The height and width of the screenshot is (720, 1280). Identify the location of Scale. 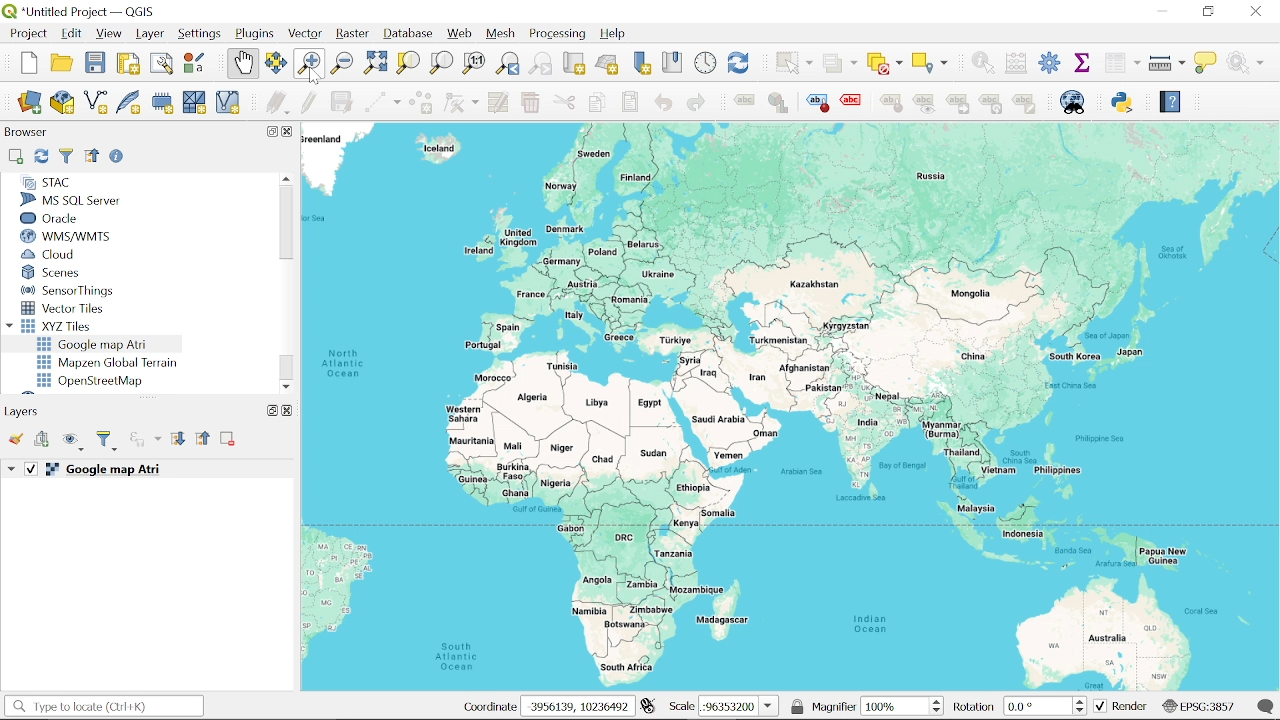
(739, 707).